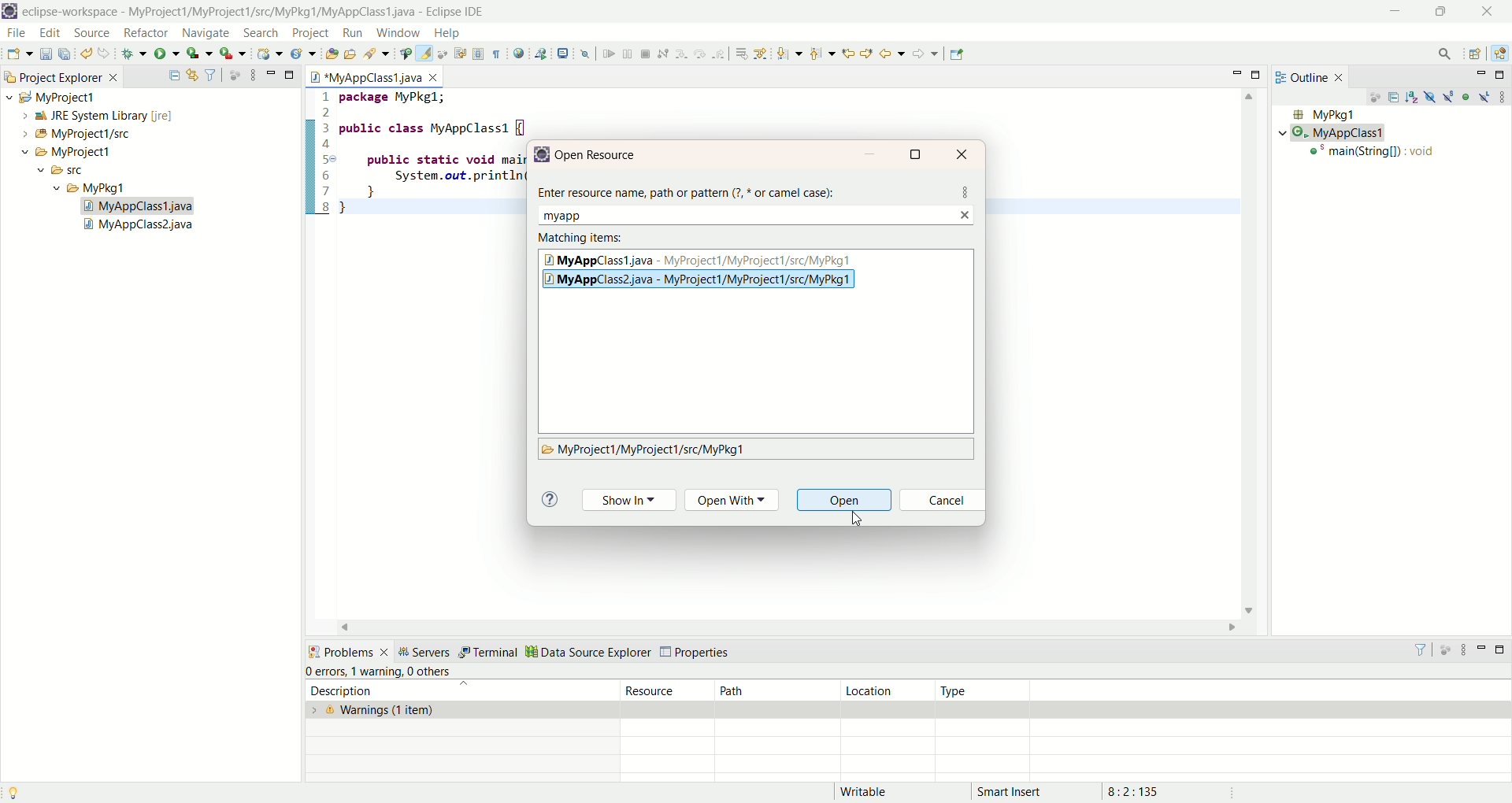 The image size is (1512, 803). What do you see at coordinates (349, 54) in the screenshot?
I see `open task` at bounding box center [349, 54].